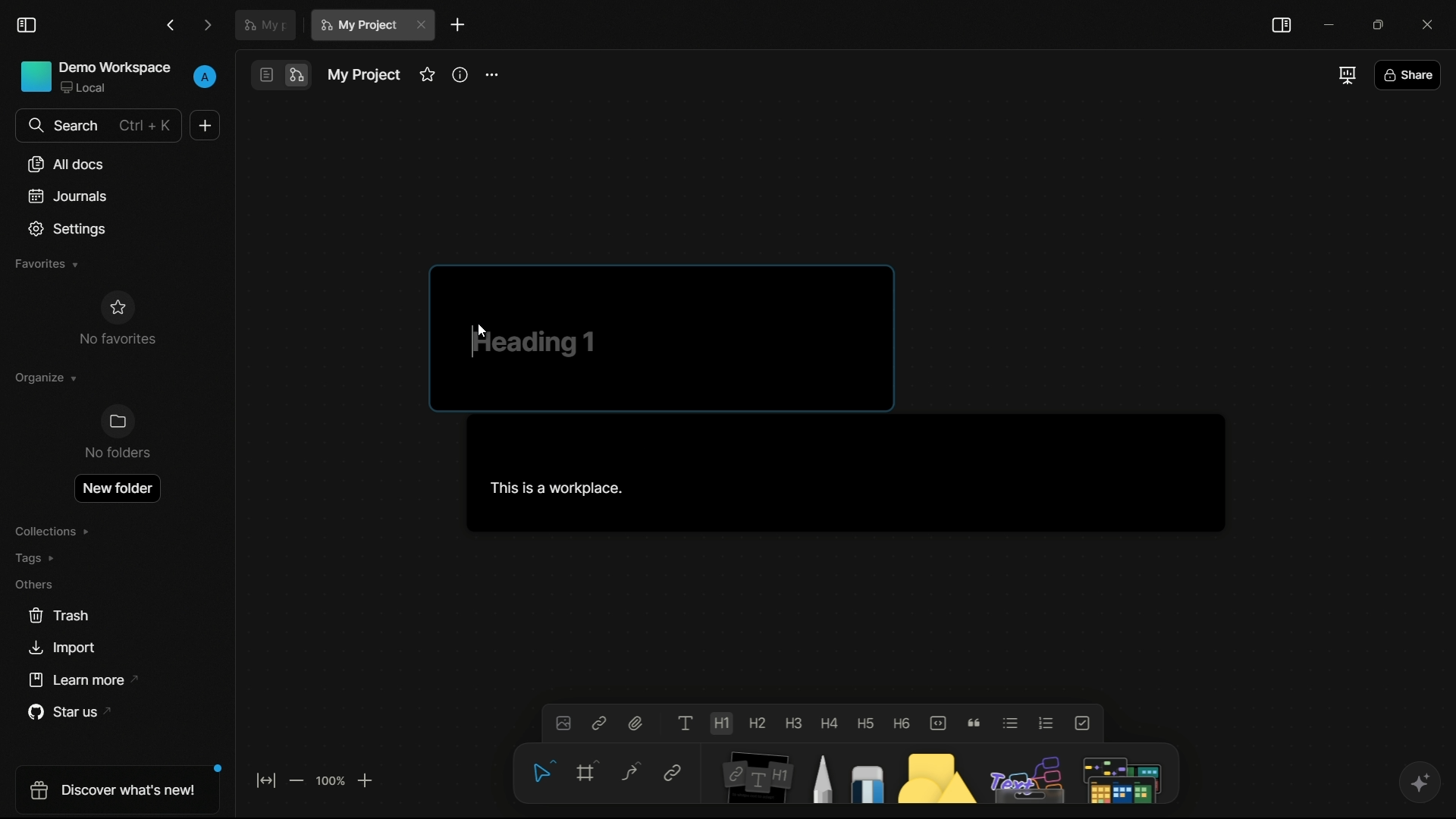 Image resolution: width=1456 pixels, height=819 pixels. What do you see at coordinates (202, 125) in the screenshot?
I see `new document` at bounding box center [202, 125].